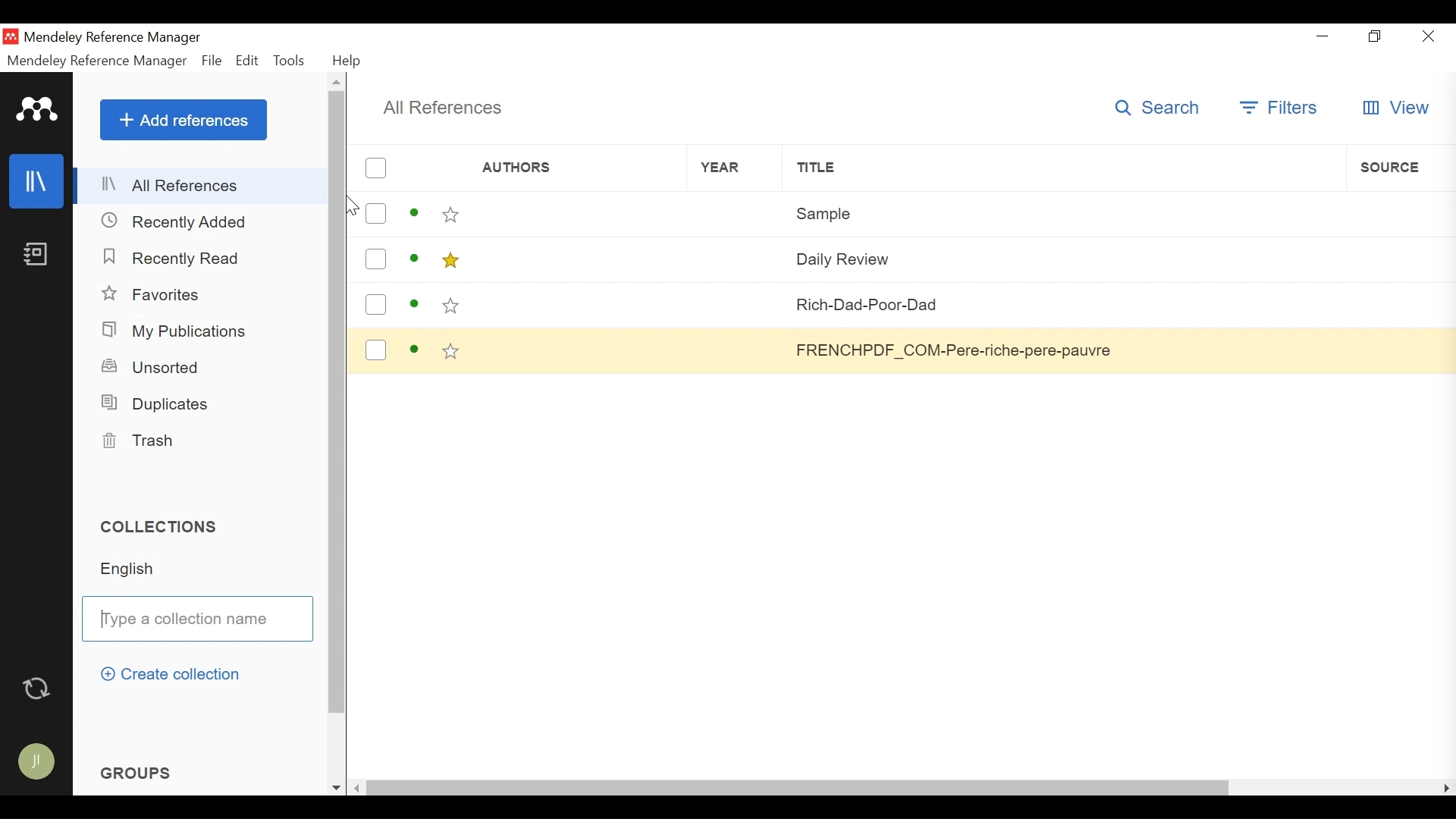 This screenshot has height=819, width=1456. Describe the element at coordinates (738, 349) in the screenshot. I see `Year` at that location.